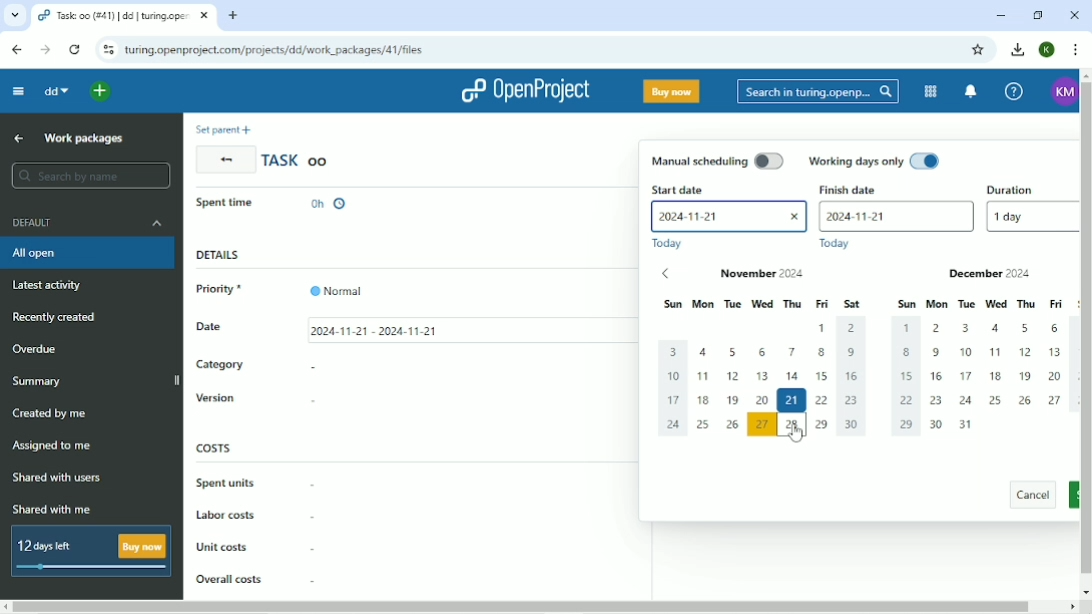  What do you see at coordinates (394, 329) in the screenshot?
I see `2024-11-21 - 2024-11-21` at bounding box center [394, 329].